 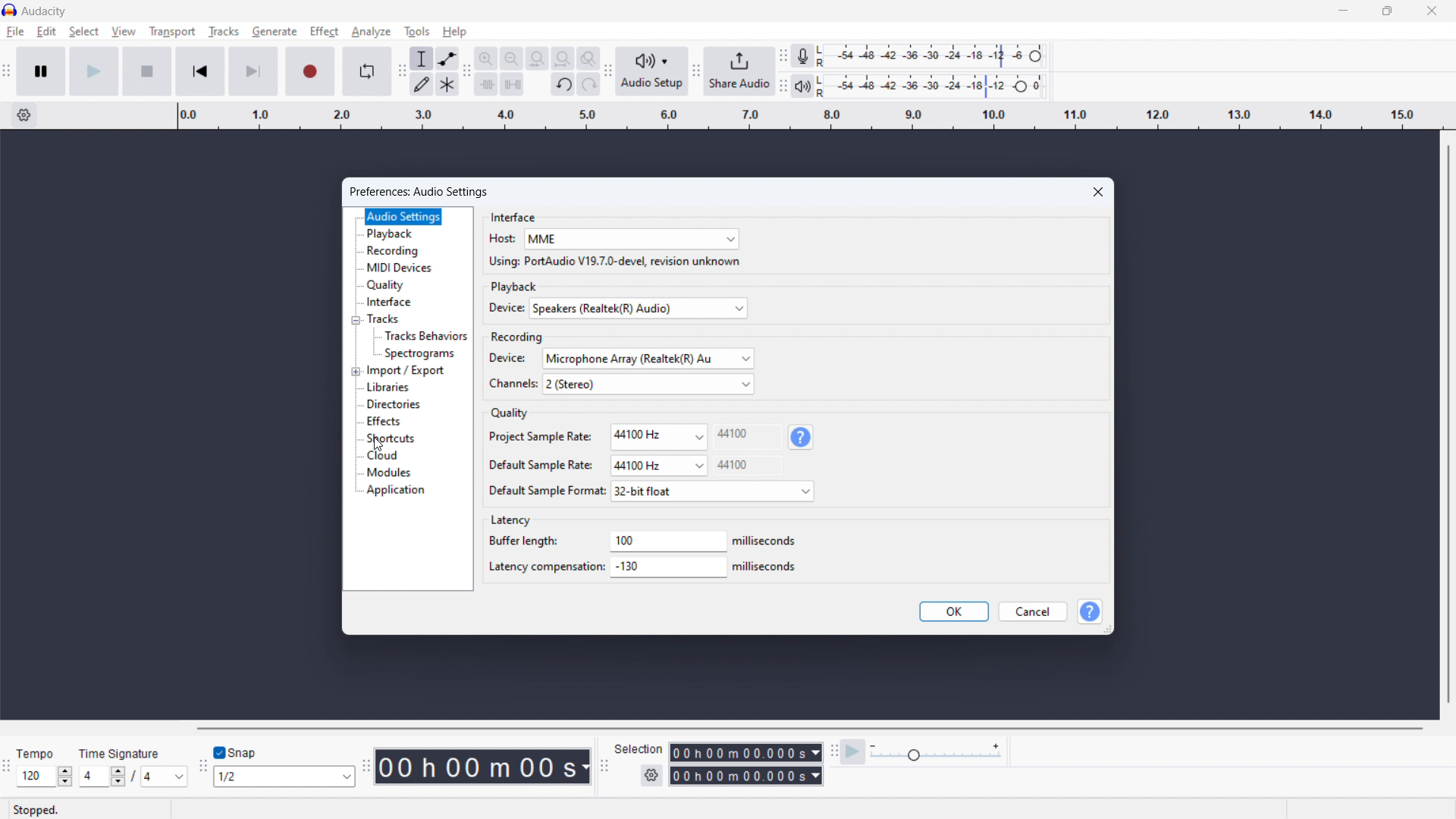 I want to click on set time signature, so click(x=165, y=777).